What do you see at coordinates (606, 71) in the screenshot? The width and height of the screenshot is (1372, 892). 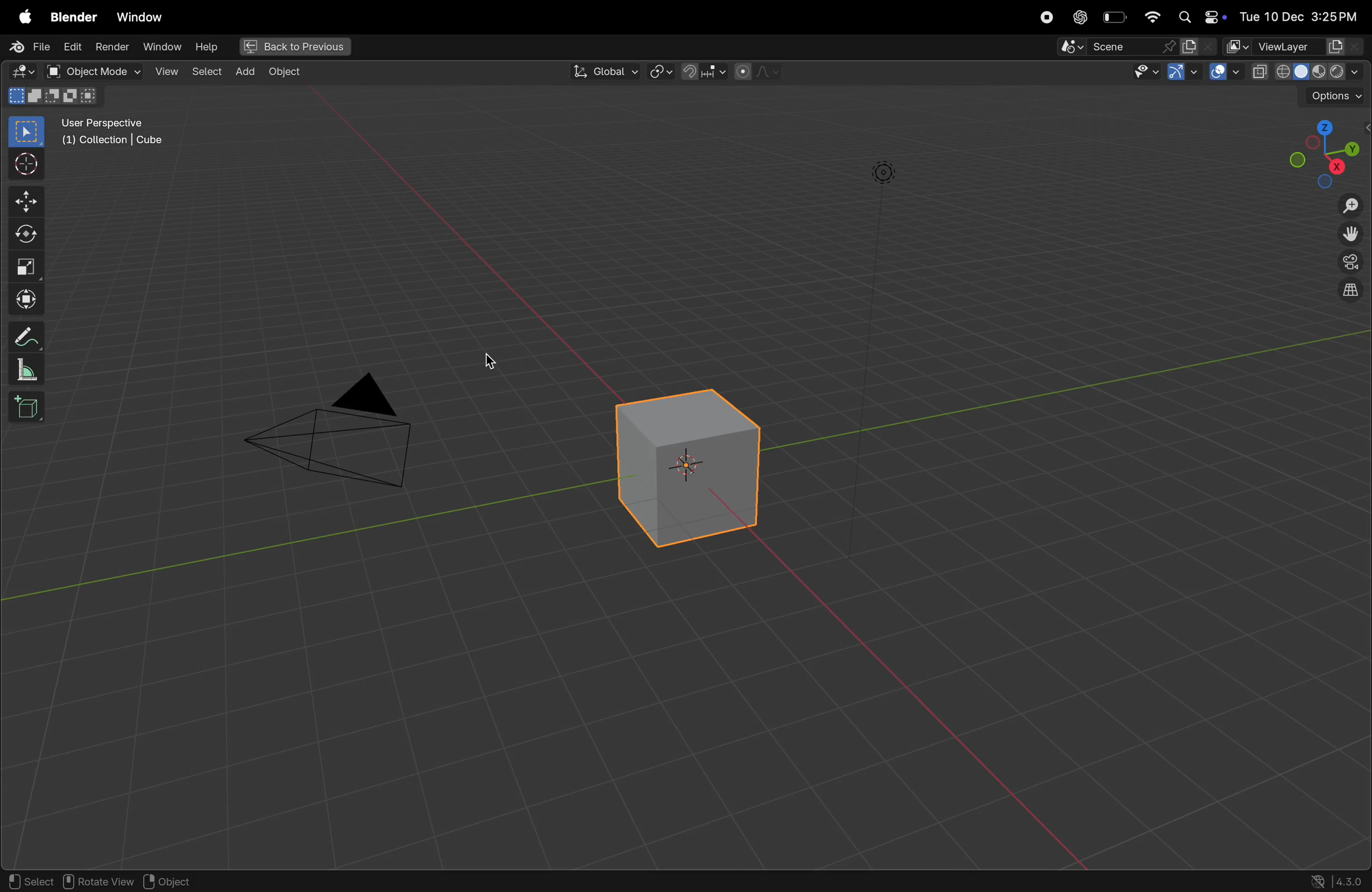 I see `Global` at bounding box center [606, 71].